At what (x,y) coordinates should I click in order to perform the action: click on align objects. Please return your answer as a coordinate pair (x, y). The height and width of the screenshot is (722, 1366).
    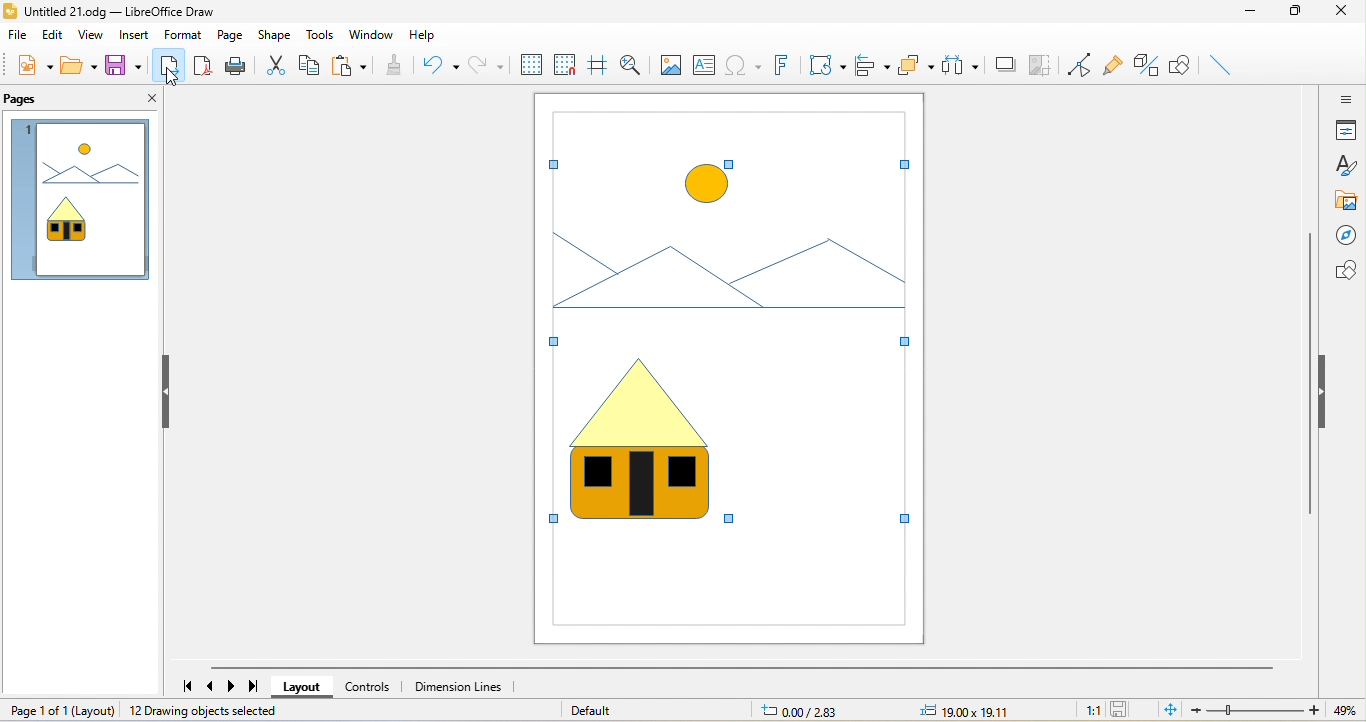
    Looking at the image, I should click on (874, 64).